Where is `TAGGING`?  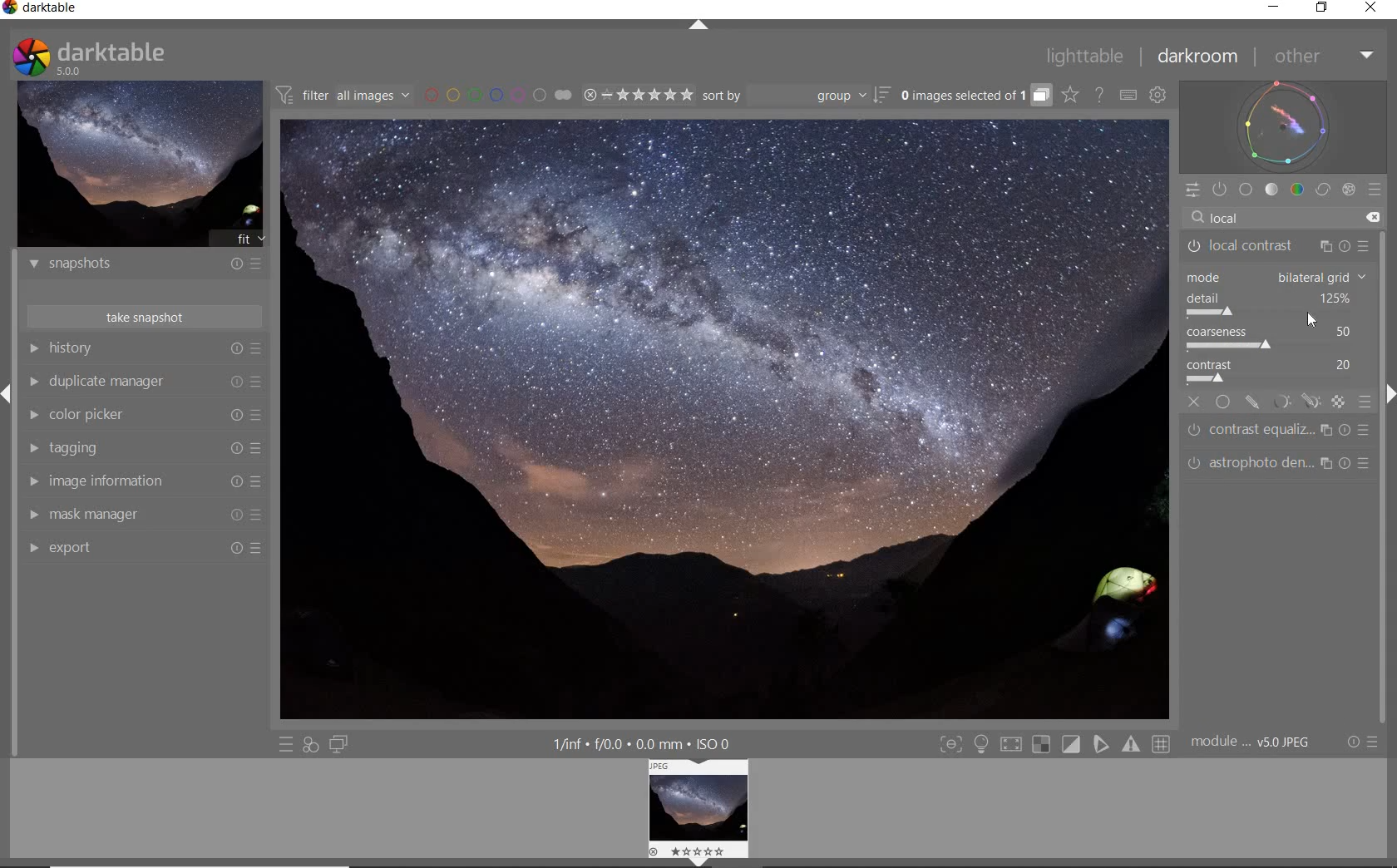
TAGGING is located at coordinates (29, 448).